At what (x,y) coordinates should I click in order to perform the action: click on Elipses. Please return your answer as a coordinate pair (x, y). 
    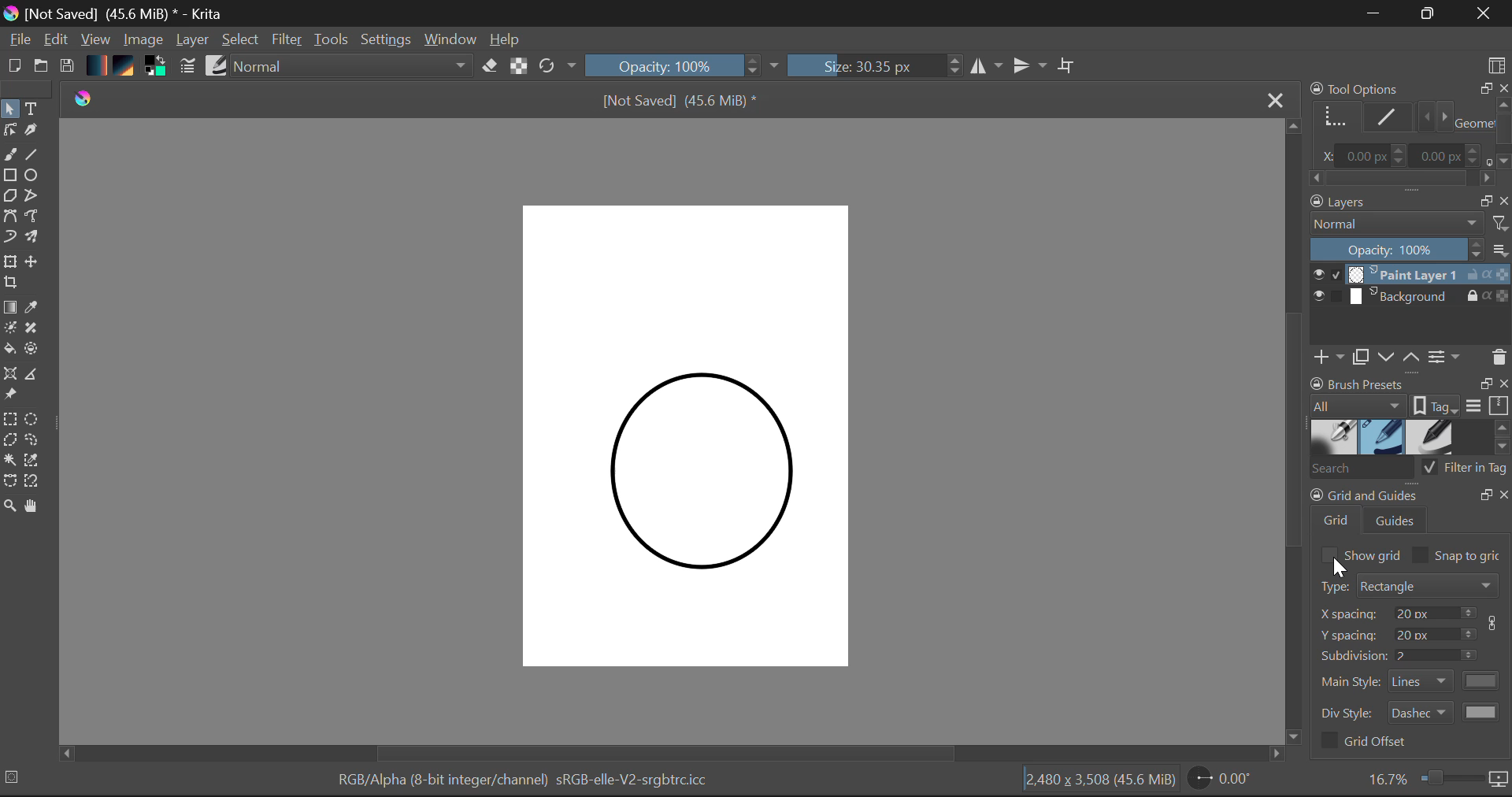
    Looking at the image, I should click on (35, 175).